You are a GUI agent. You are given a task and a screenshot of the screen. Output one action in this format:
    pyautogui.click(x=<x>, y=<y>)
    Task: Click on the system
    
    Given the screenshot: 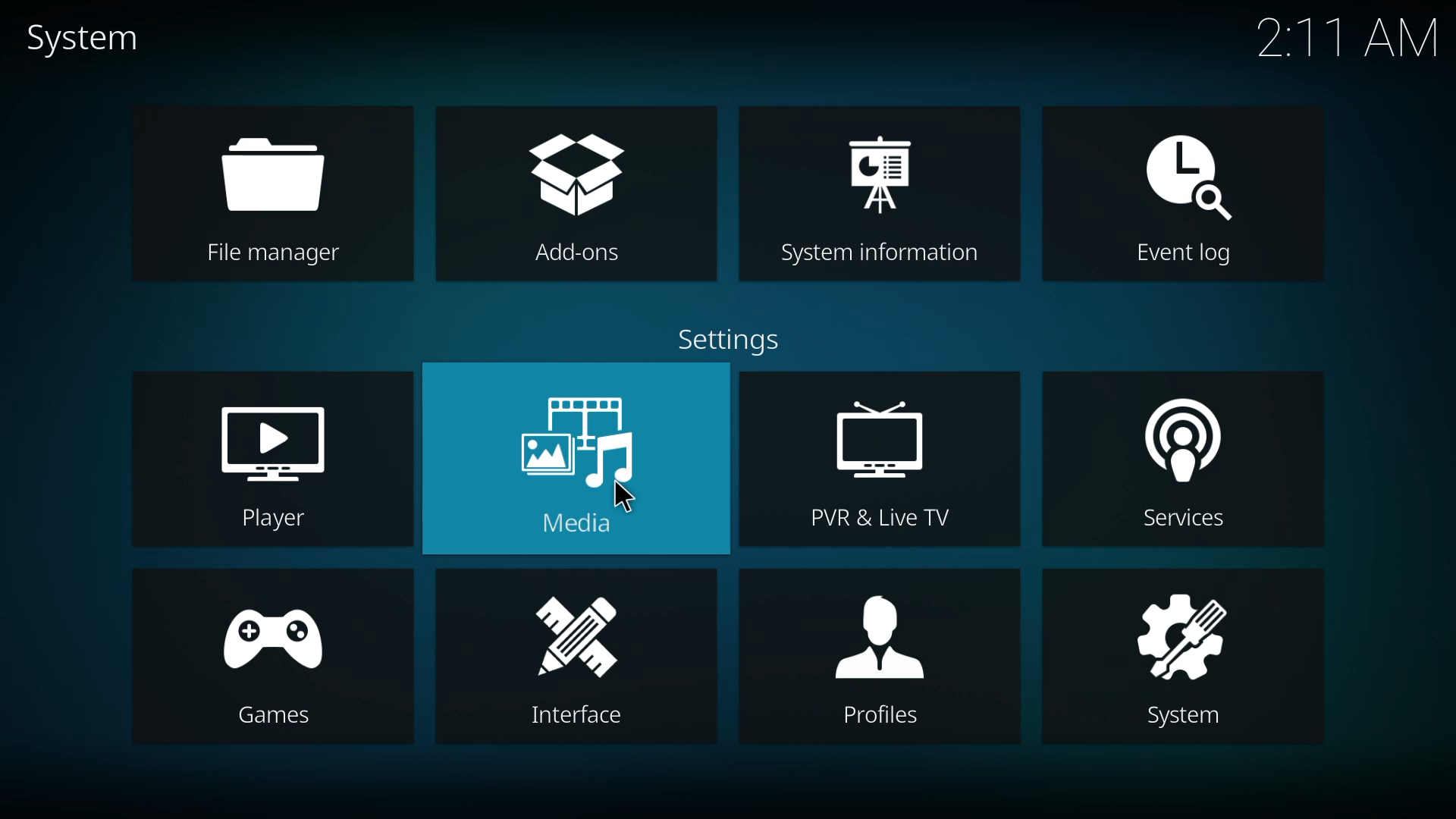 What is the action you would take?
    pyautogui.click(x=1178, y=651)
    